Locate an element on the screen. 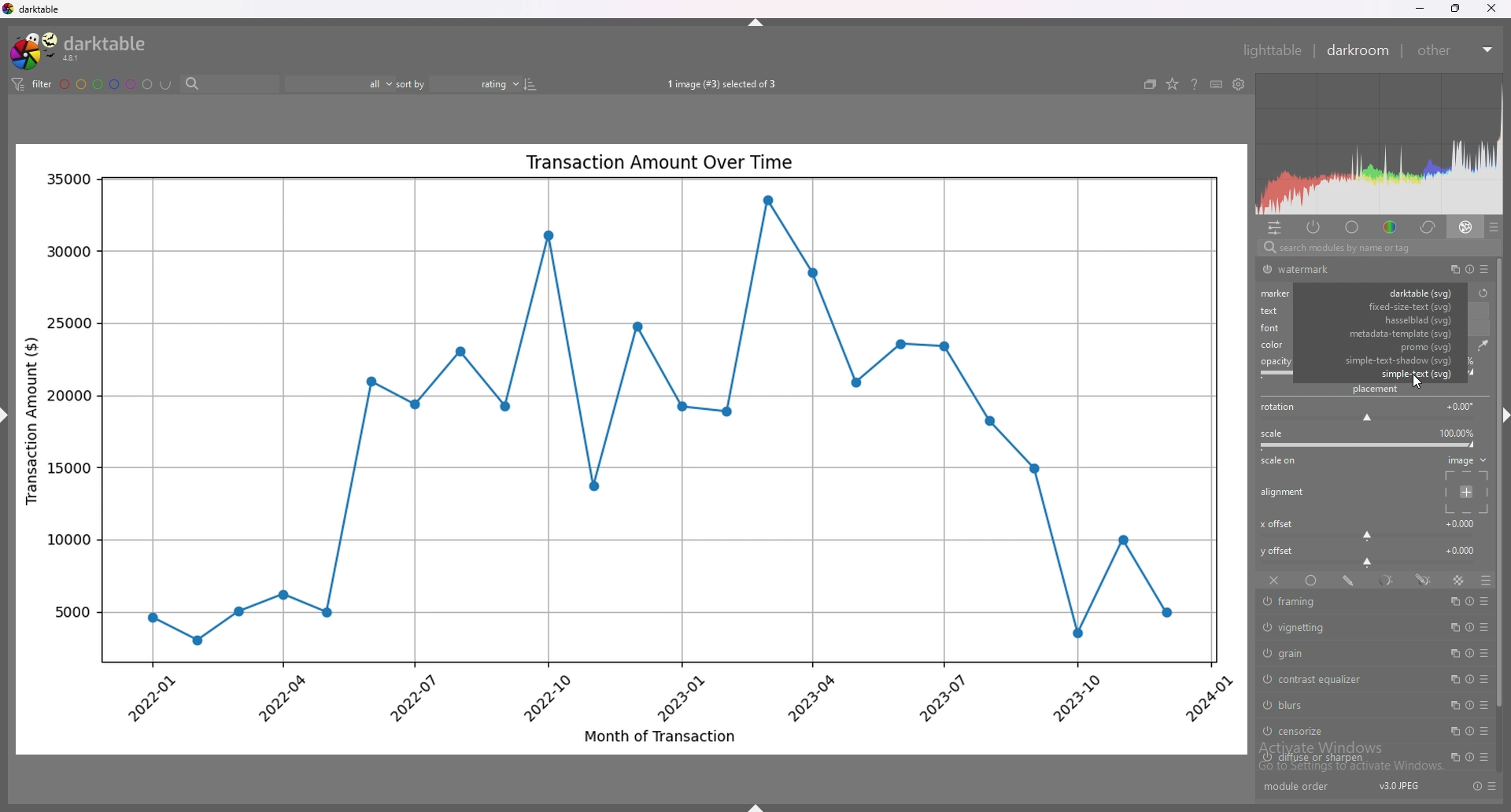 The image size is (1511, 812). y offset is located at coordinates (1279, 551).